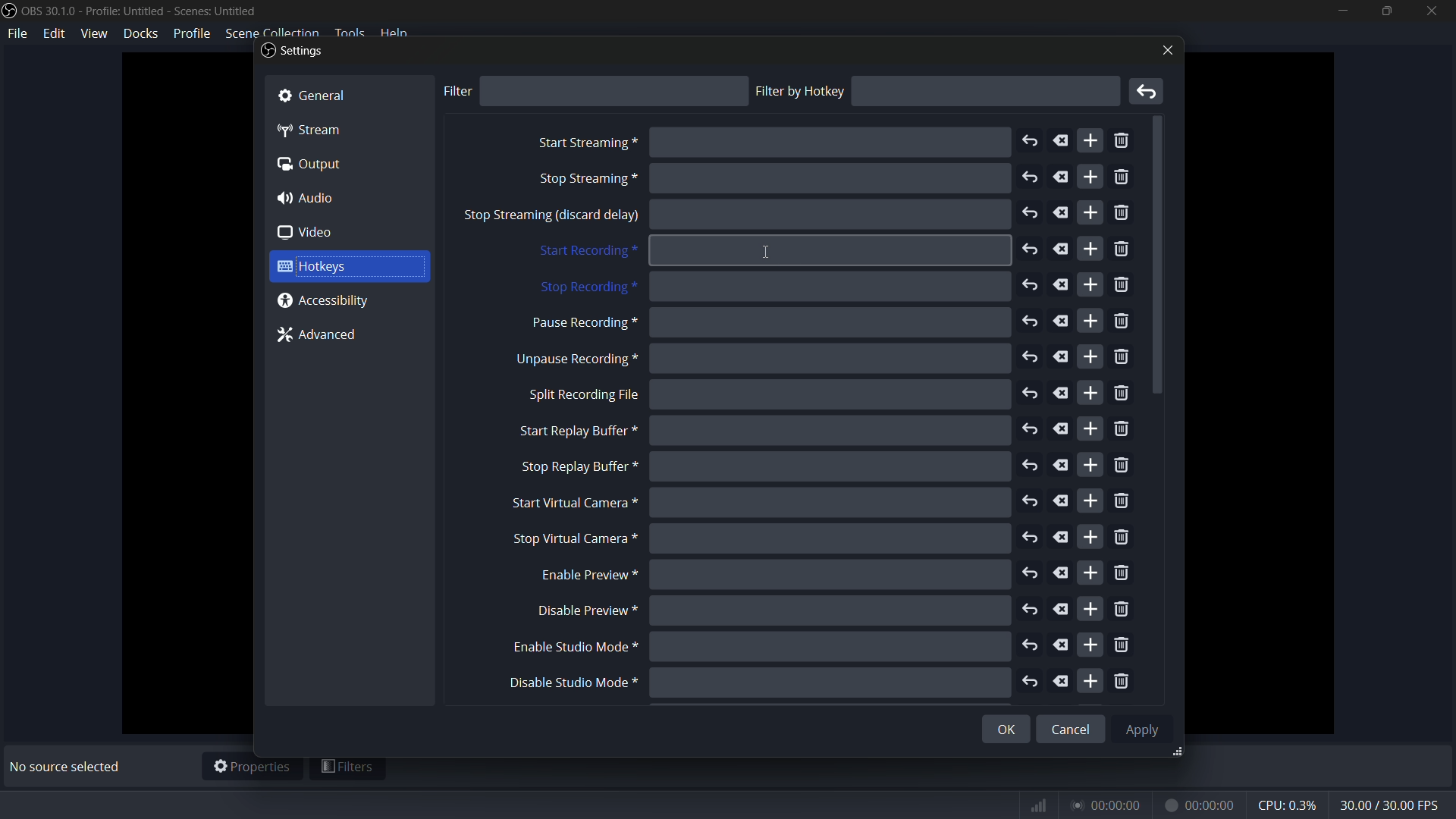 Image resolution: width=1456 pixels, height=819 pixels. Describe the element at coordinates (1088, 284) in the screenshot. I see `add more` at that location.